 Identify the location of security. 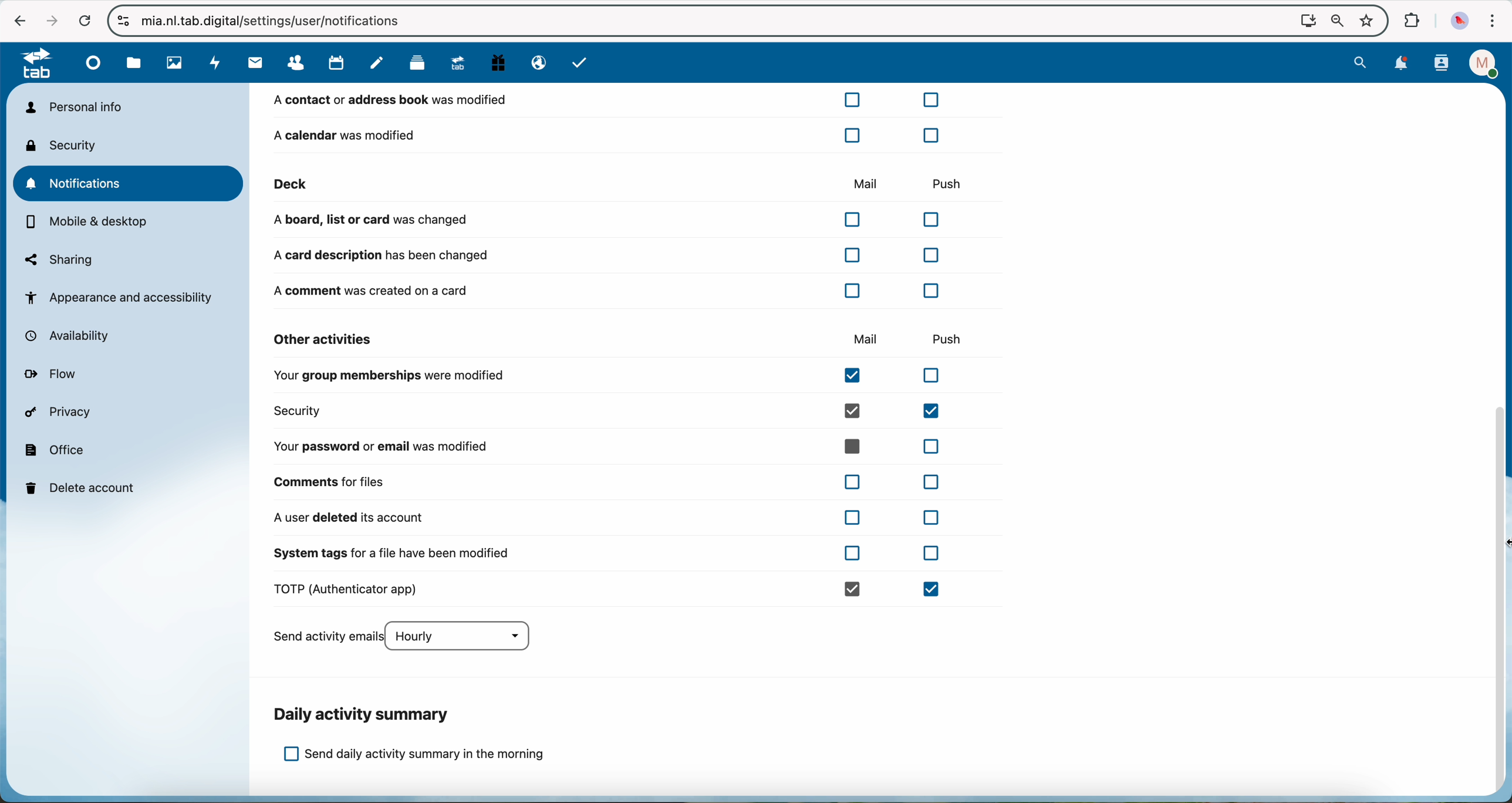
(65, 145).